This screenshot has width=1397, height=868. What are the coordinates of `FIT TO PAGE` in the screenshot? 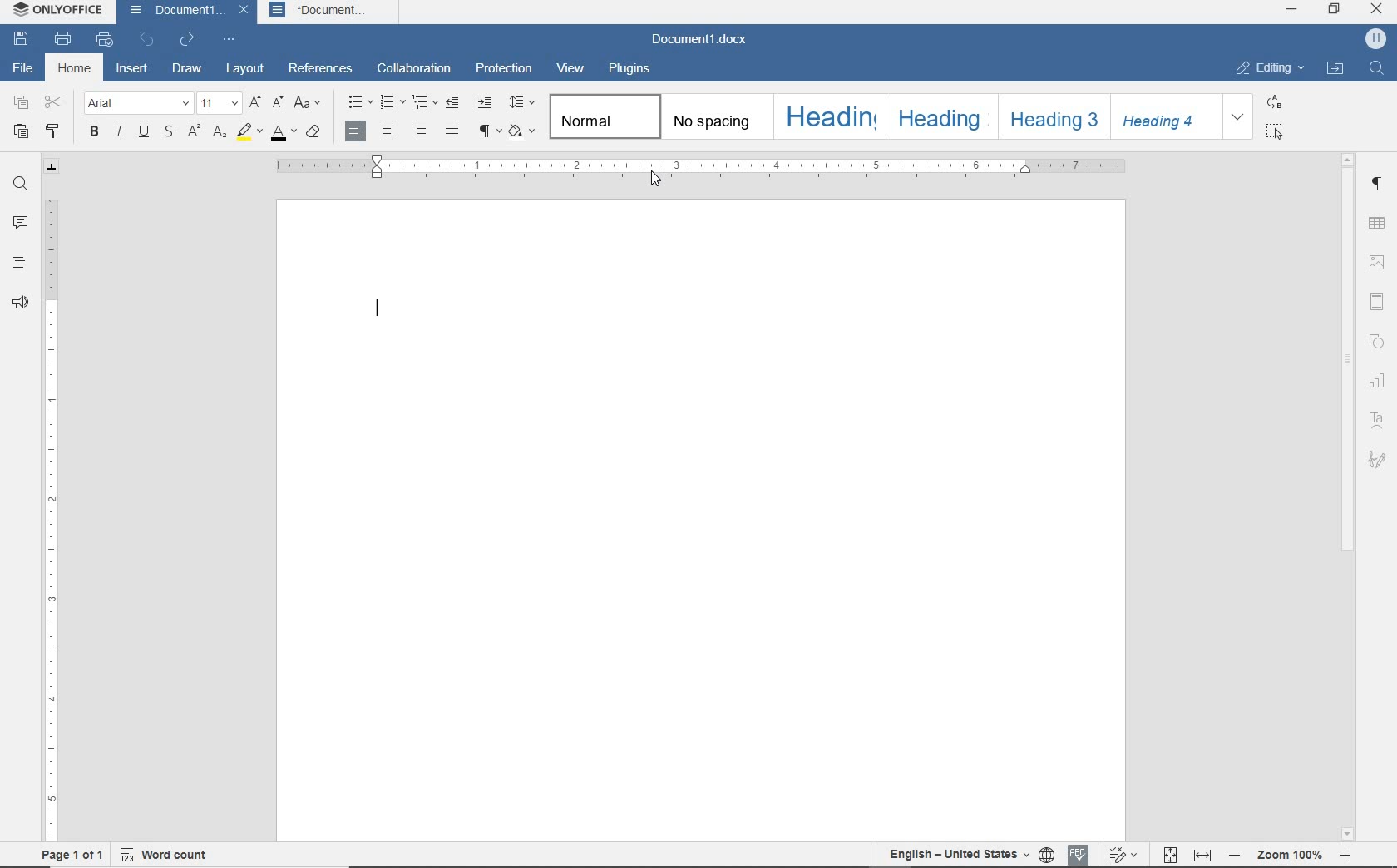 It's located at (1165, 855).